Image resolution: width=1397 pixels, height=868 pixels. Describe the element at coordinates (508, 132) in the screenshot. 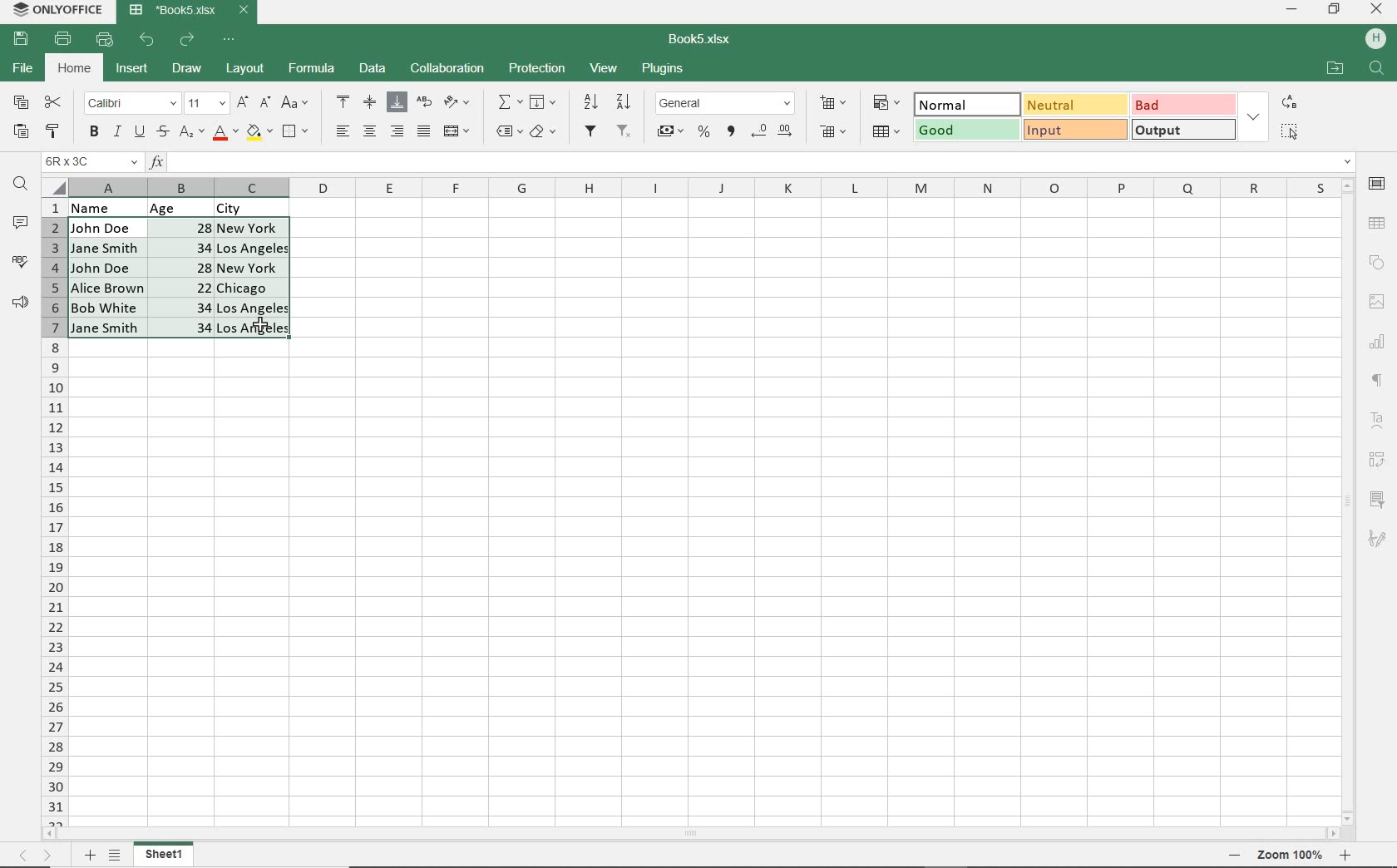

I see `NAMED RANGES` at that location.